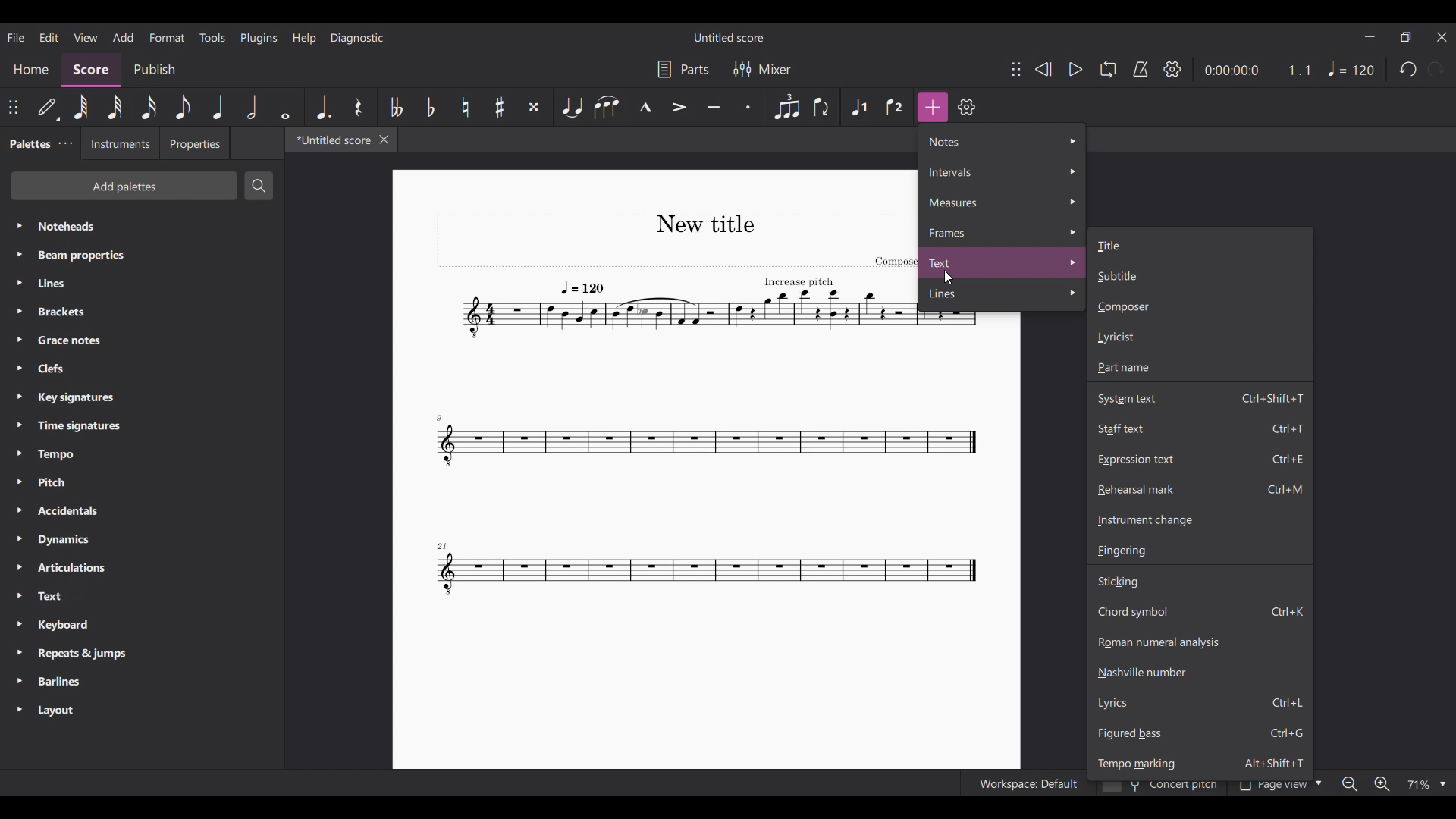  What do you see at coordinates (143, 711) in the screenshot?
I see `Layout` at bounding box center [143, 711].